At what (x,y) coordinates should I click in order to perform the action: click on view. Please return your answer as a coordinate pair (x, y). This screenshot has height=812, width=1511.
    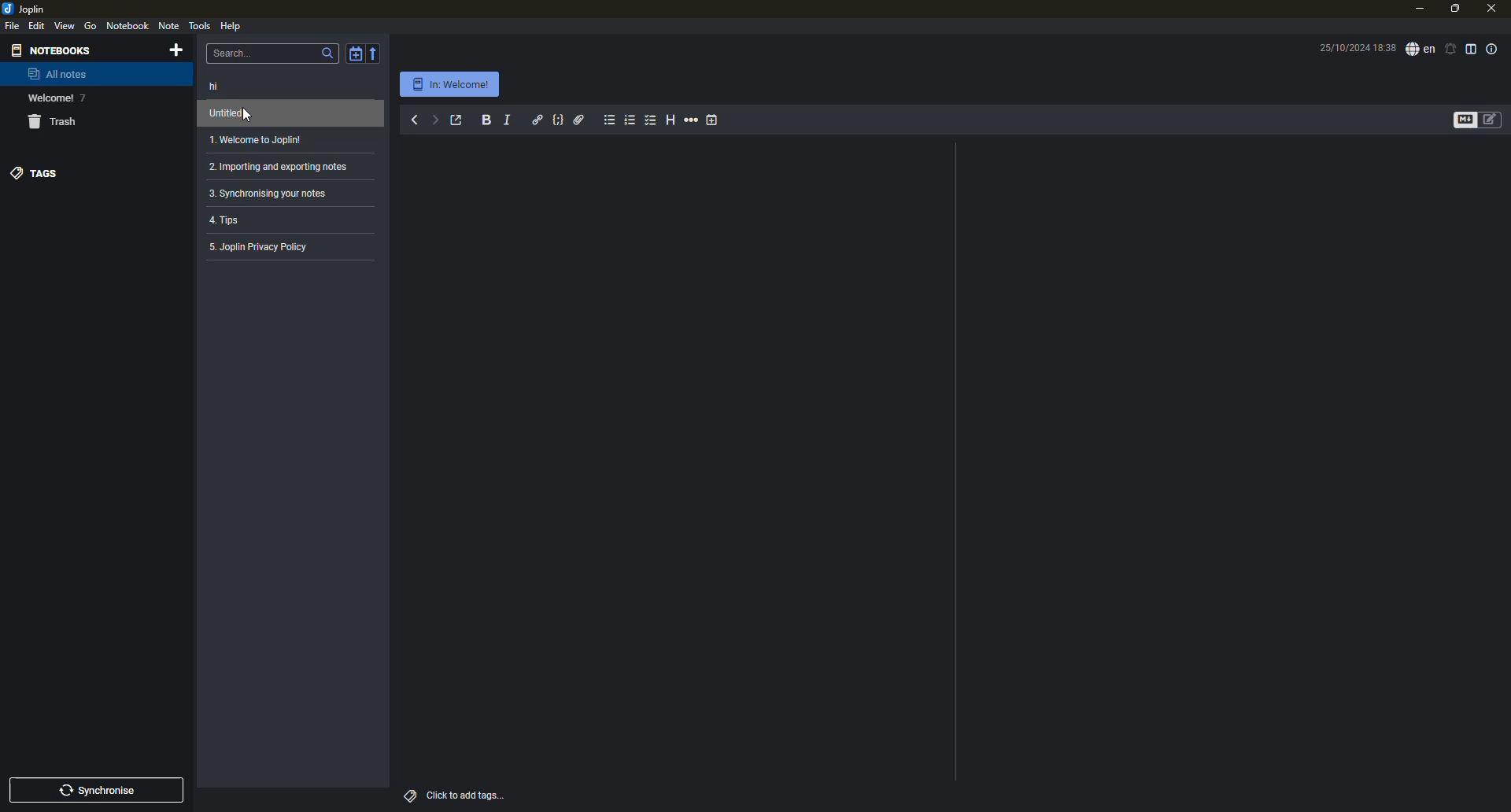
    Looking at the image, I should click on (65, 26).